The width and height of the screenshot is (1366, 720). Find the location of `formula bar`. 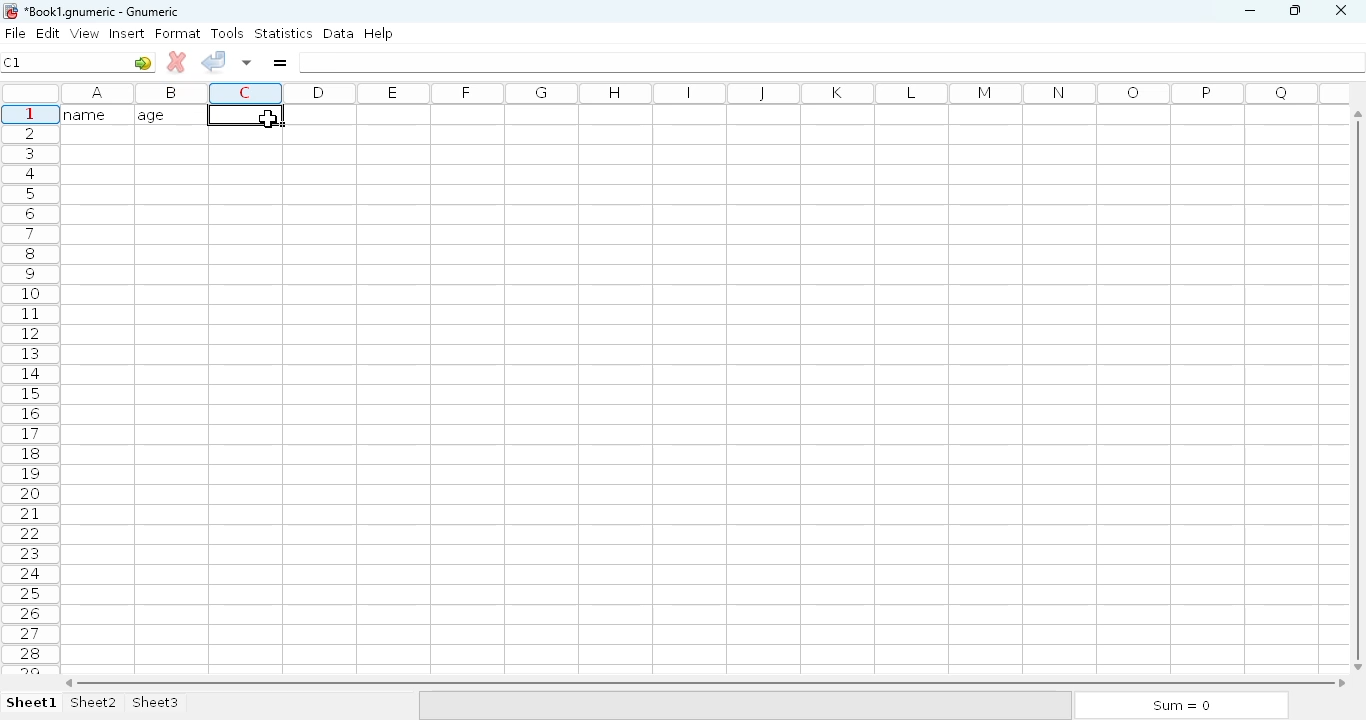

formula bar is located at coordinates (833, 62).